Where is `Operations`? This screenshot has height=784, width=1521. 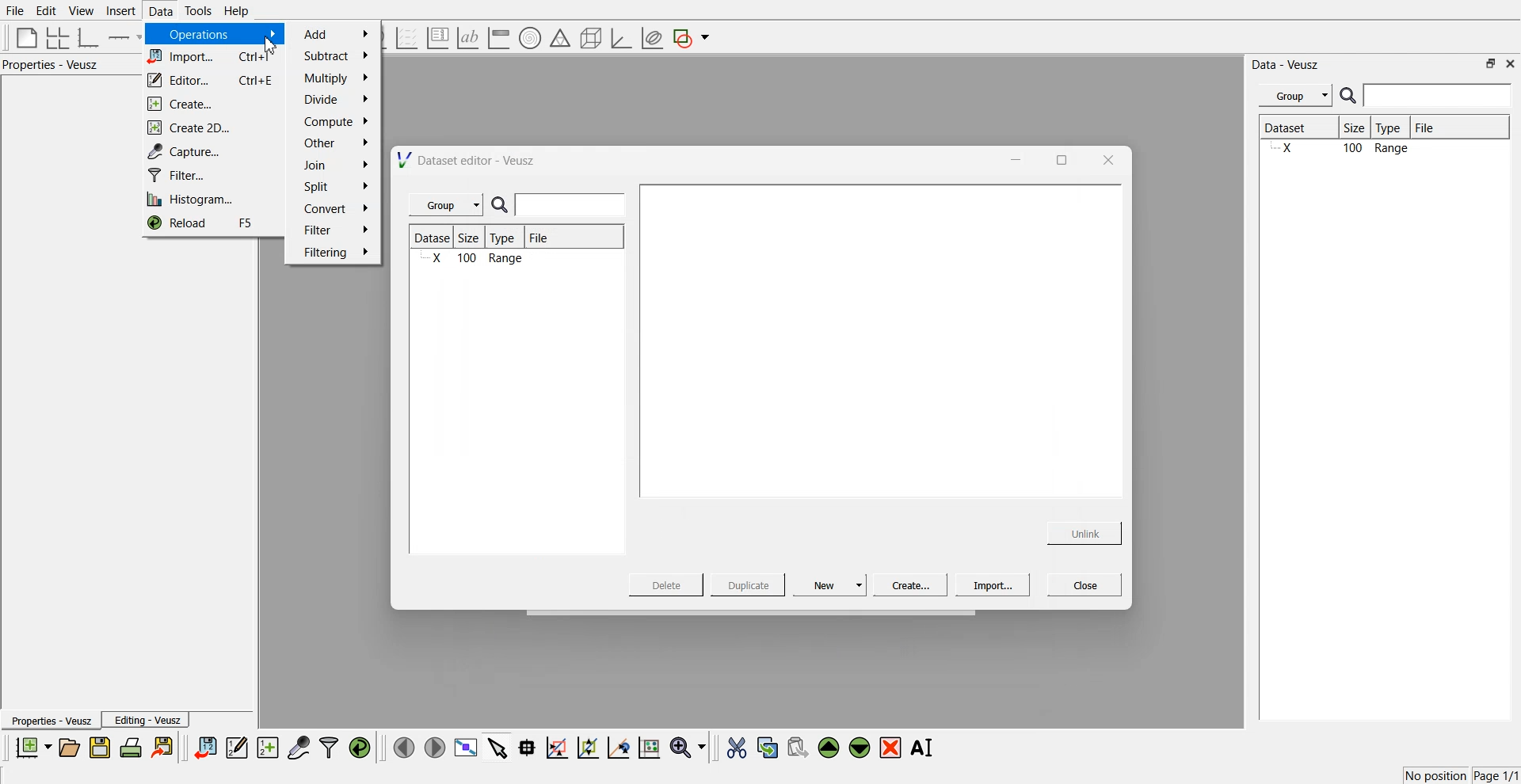 Operations is located at coordinates (212, 34).